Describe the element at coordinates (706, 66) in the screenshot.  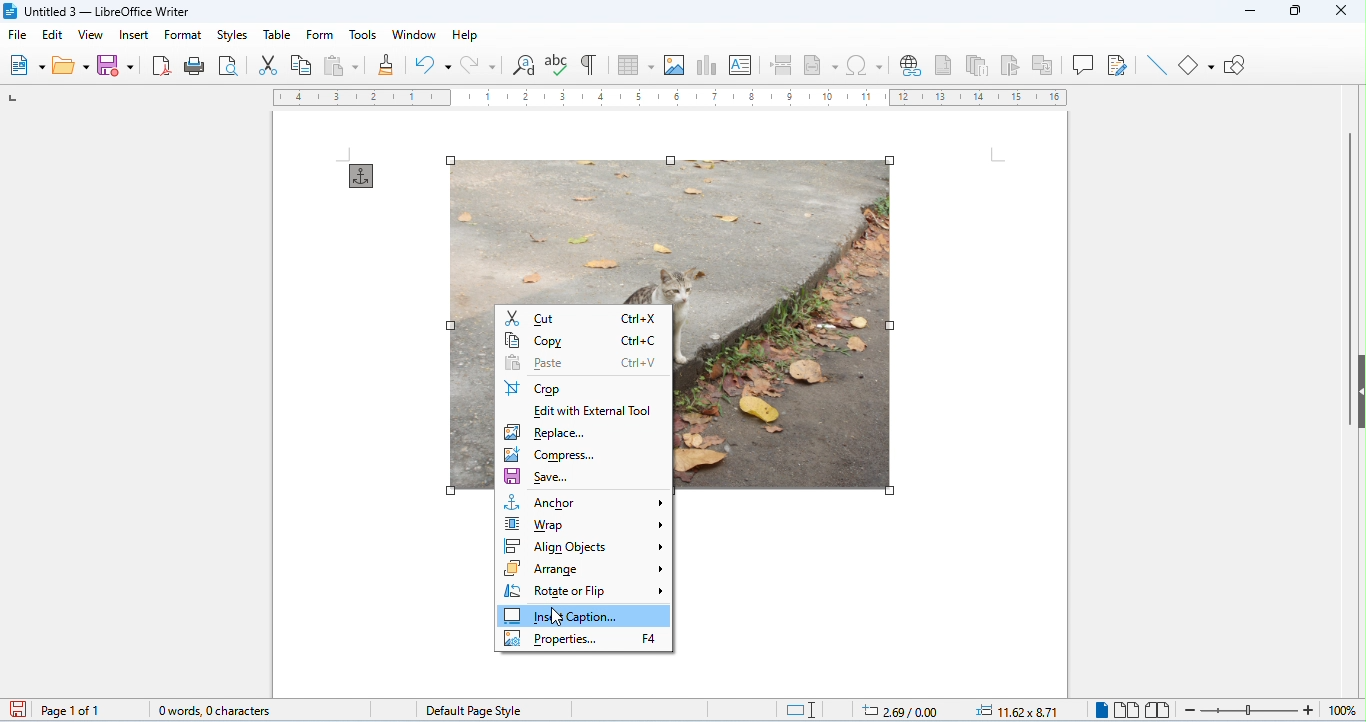
I see `insert chat` at that location.